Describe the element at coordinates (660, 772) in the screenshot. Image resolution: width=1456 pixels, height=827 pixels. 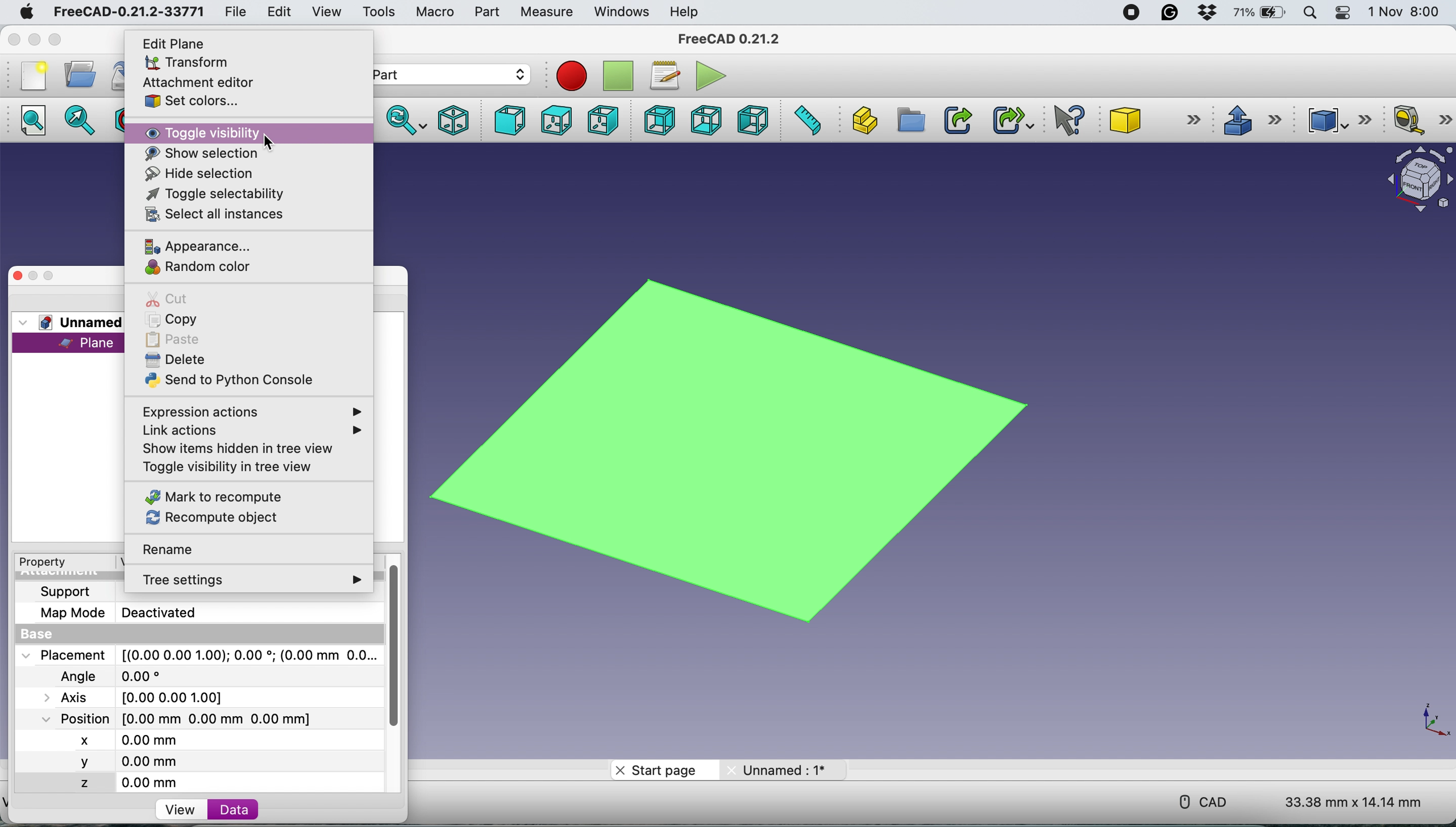
I see `start page` at that location.